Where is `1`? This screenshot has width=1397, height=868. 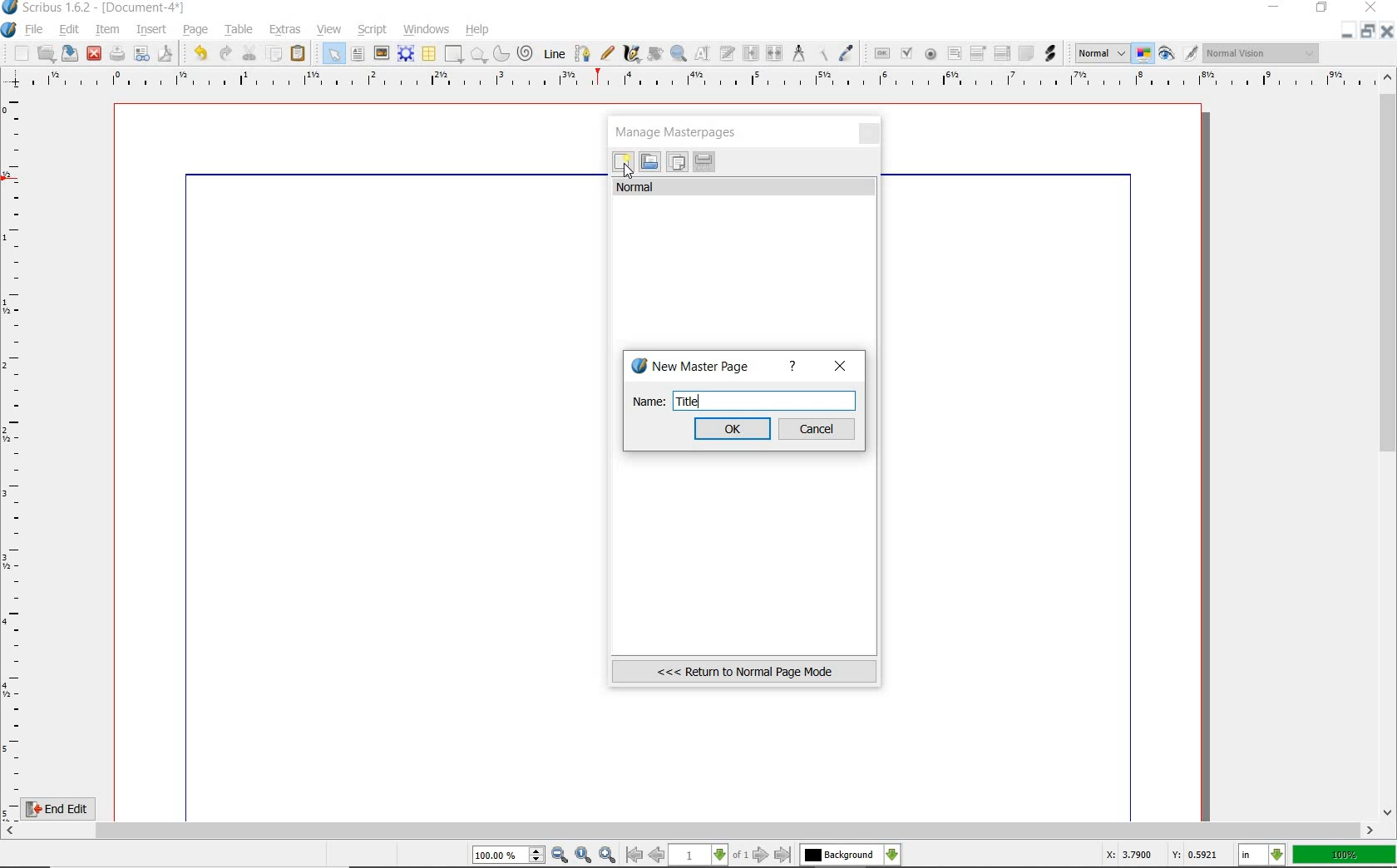 1 is located at coordinates (699, 856).